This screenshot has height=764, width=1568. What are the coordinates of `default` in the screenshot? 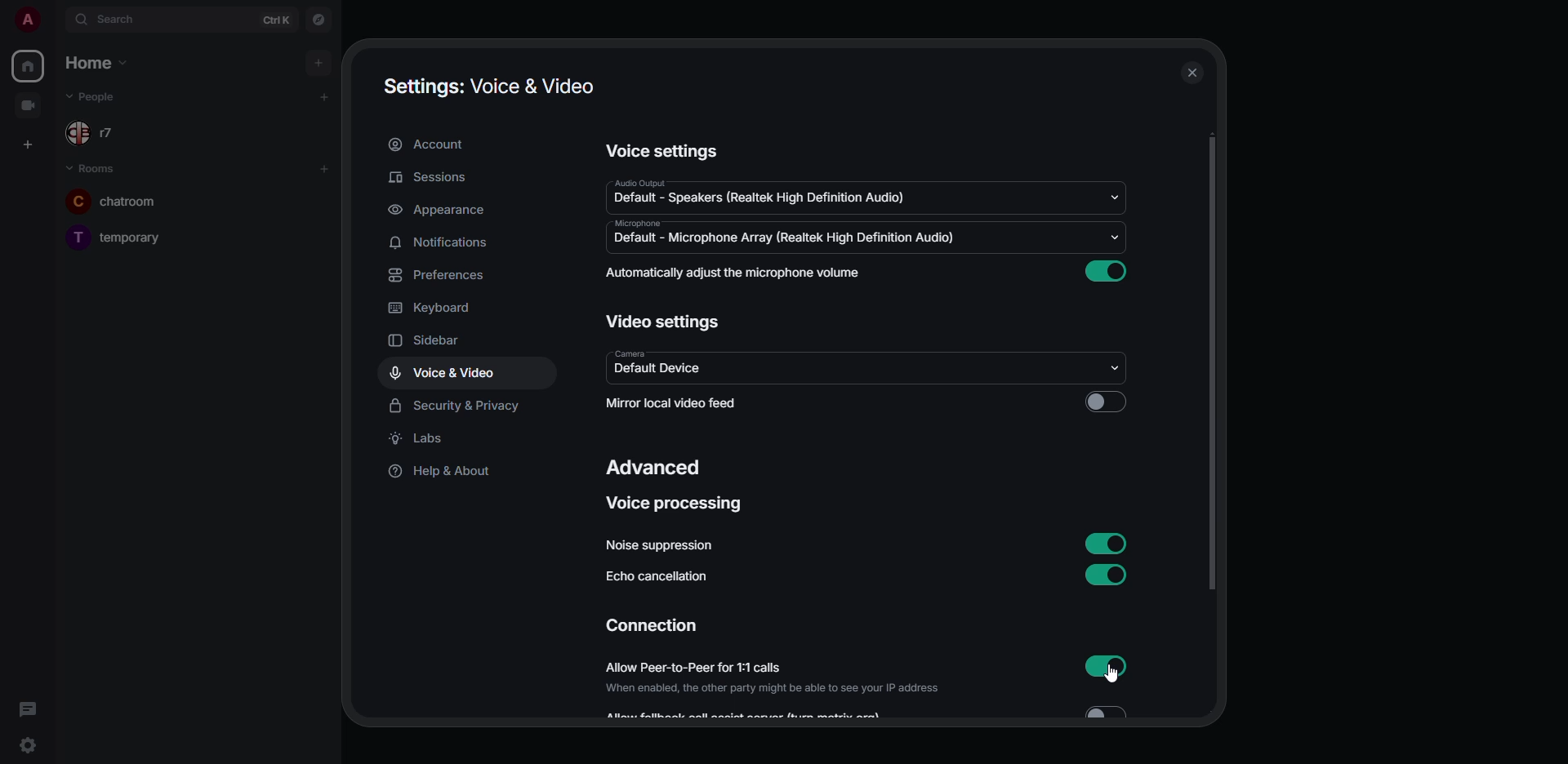 It's located at (657, 369).